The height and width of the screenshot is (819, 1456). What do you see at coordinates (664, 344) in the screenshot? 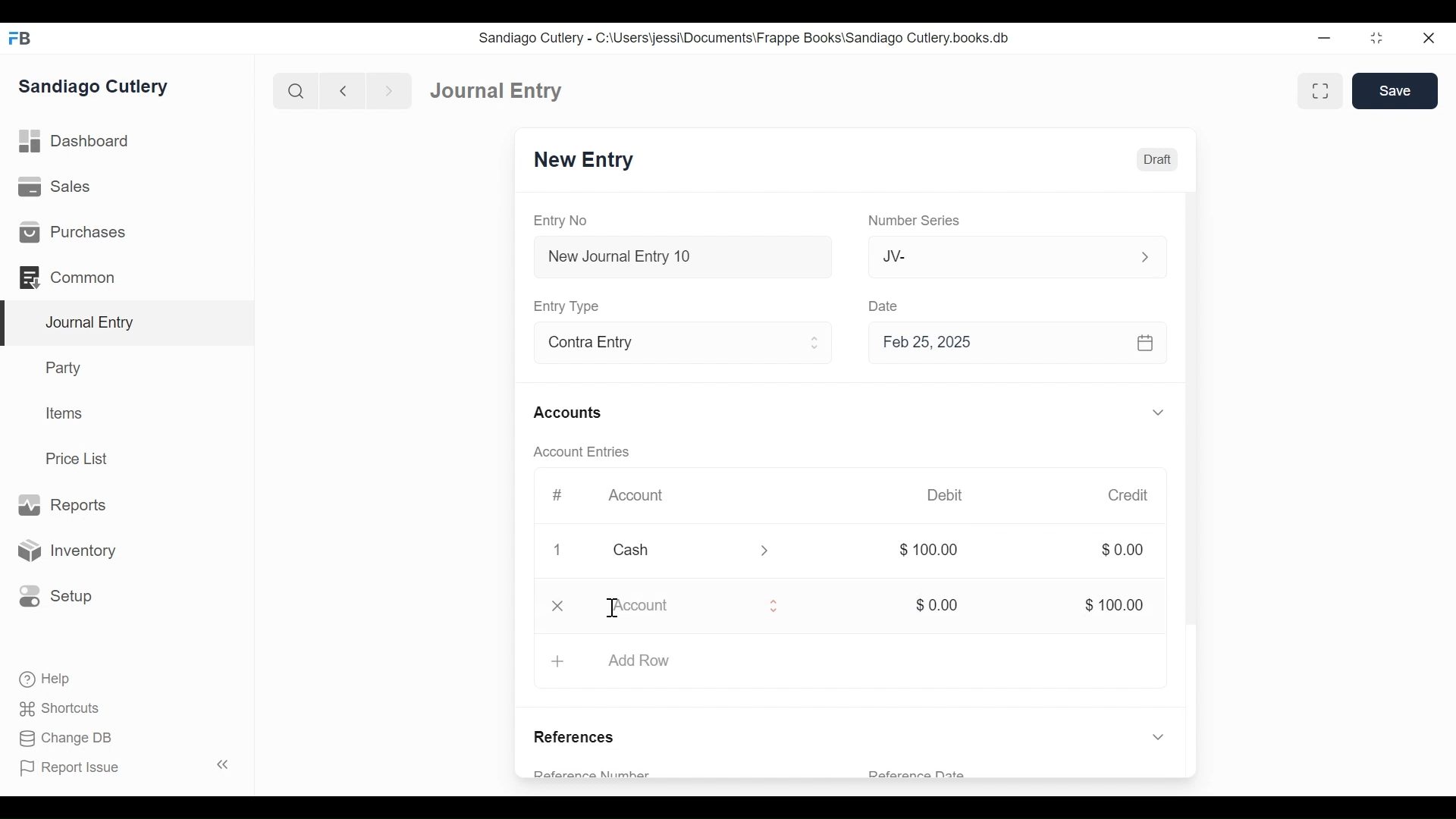
I see `Contra Entry` at bounding box center [664, 344].